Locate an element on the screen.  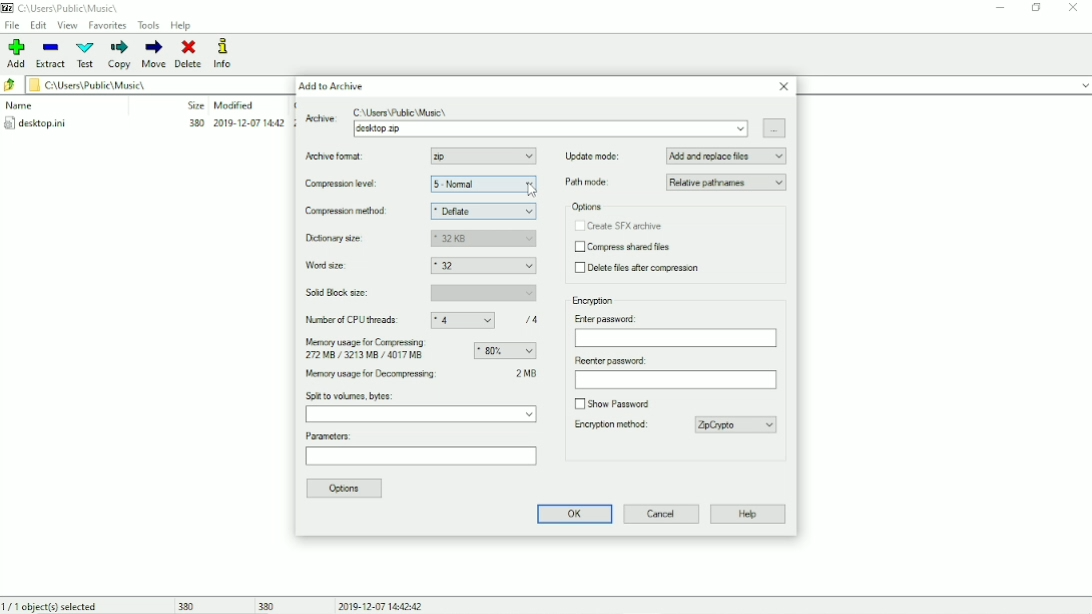
Cancel is located at coordinates (662, 513).